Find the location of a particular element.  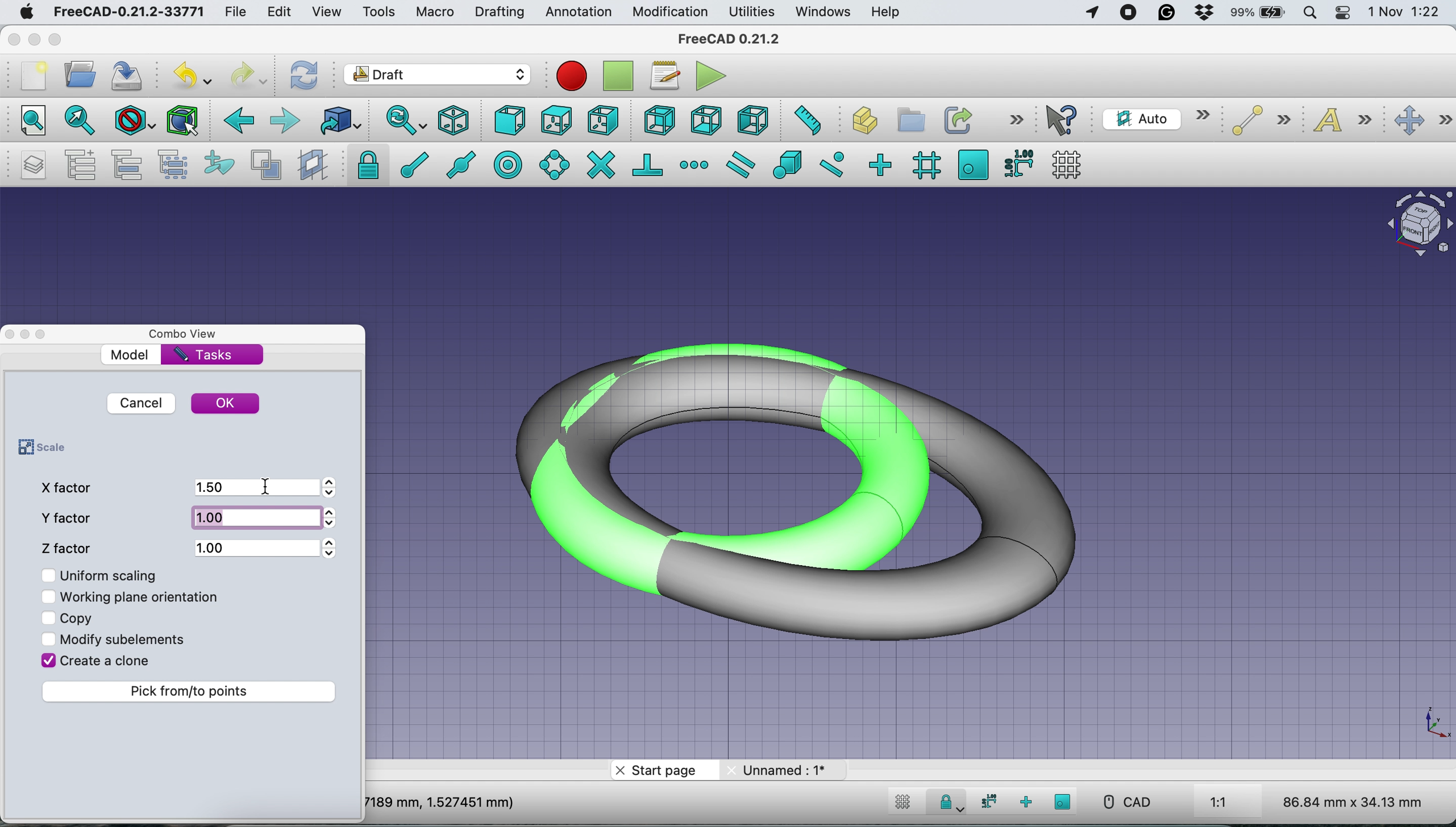

1.5 is located at coordinates (253, 486).